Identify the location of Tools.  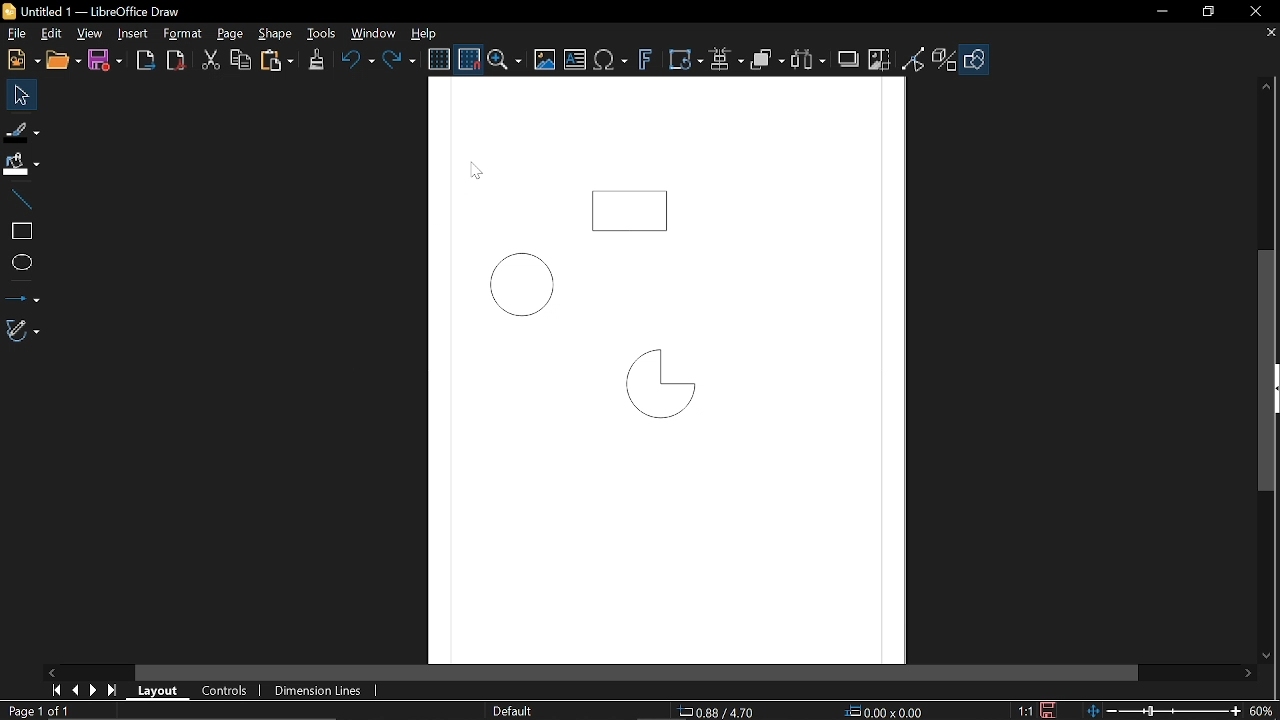
(322, 34).